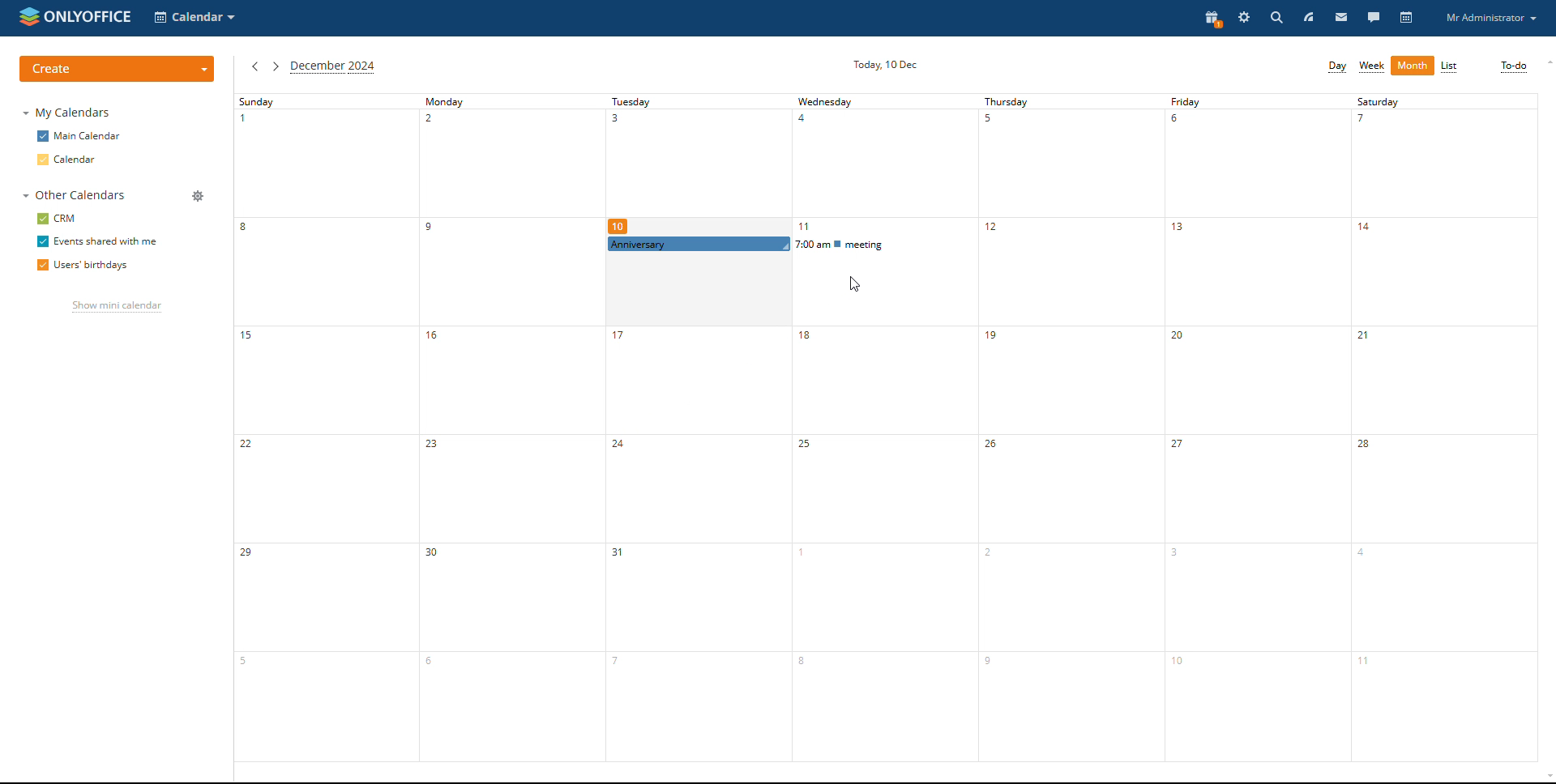 The width and height of the screenshot is (1556, 784). What do you see at coordinates (276, 66) in the screenshot?
I see `next month` at bounding box center [276, 66].